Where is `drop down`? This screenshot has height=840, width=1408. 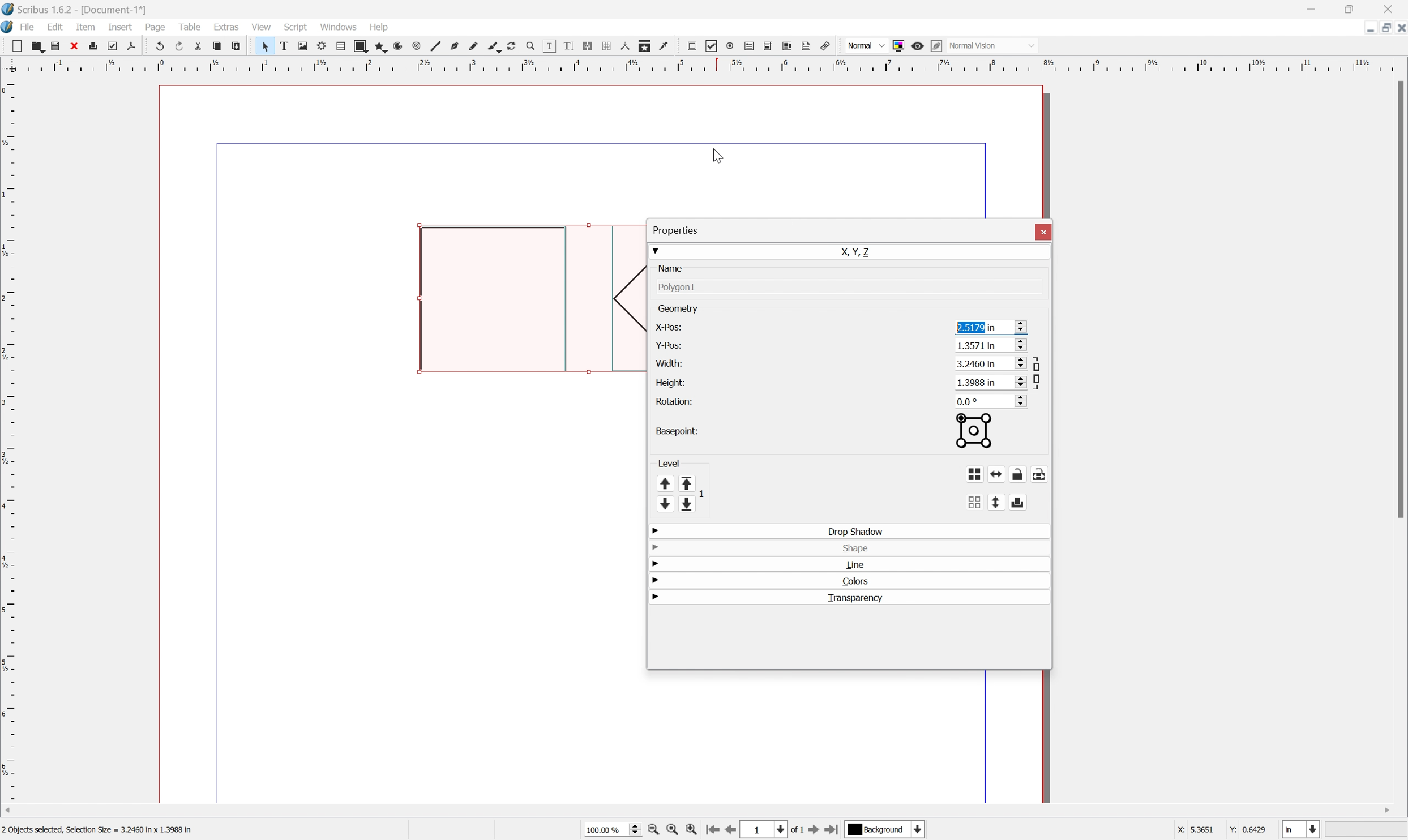 drop down is located at coordinates (657, 563).